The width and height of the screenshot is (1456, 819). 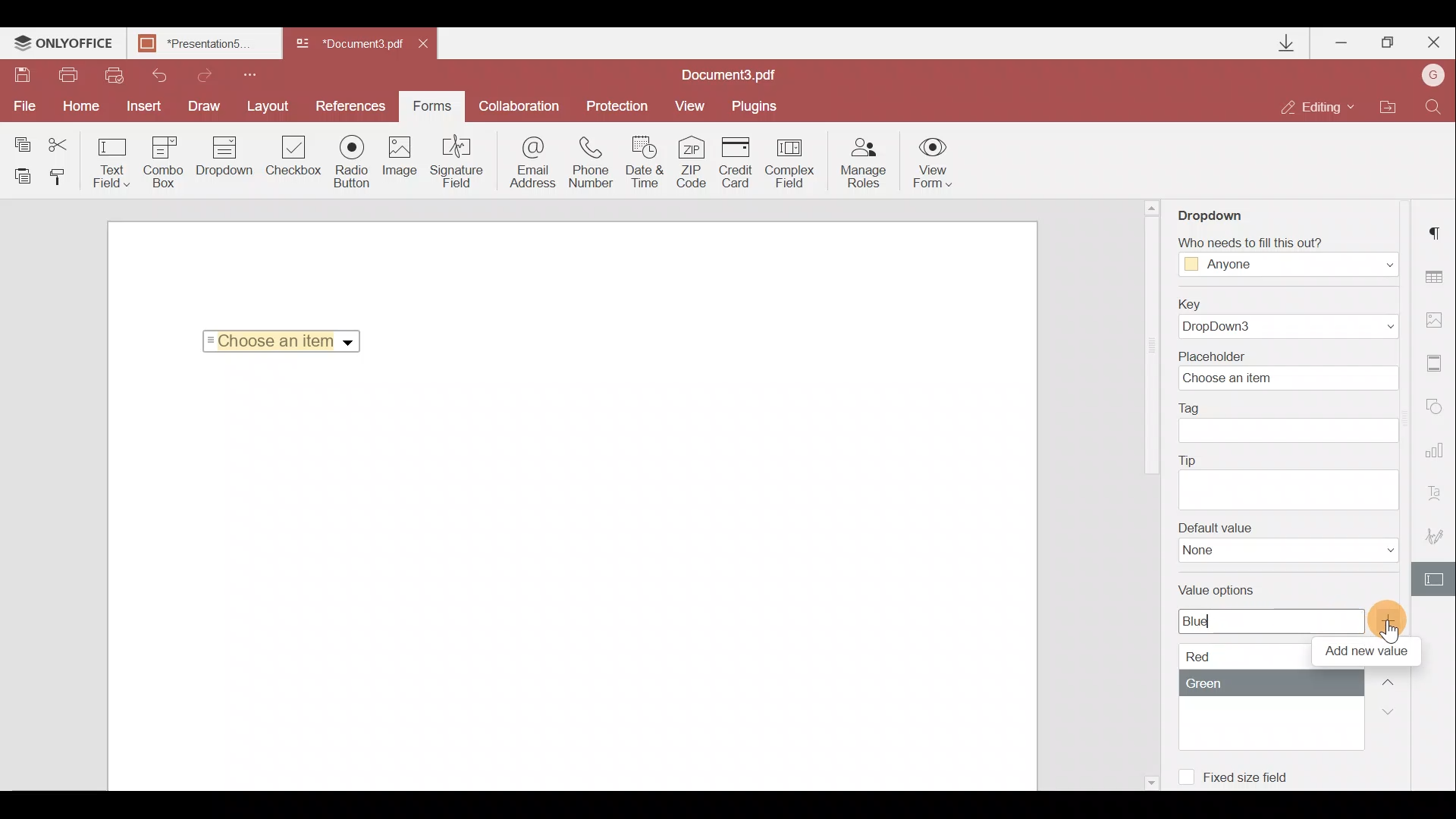 I want to click on Date & time, so click(x=648, y=162).